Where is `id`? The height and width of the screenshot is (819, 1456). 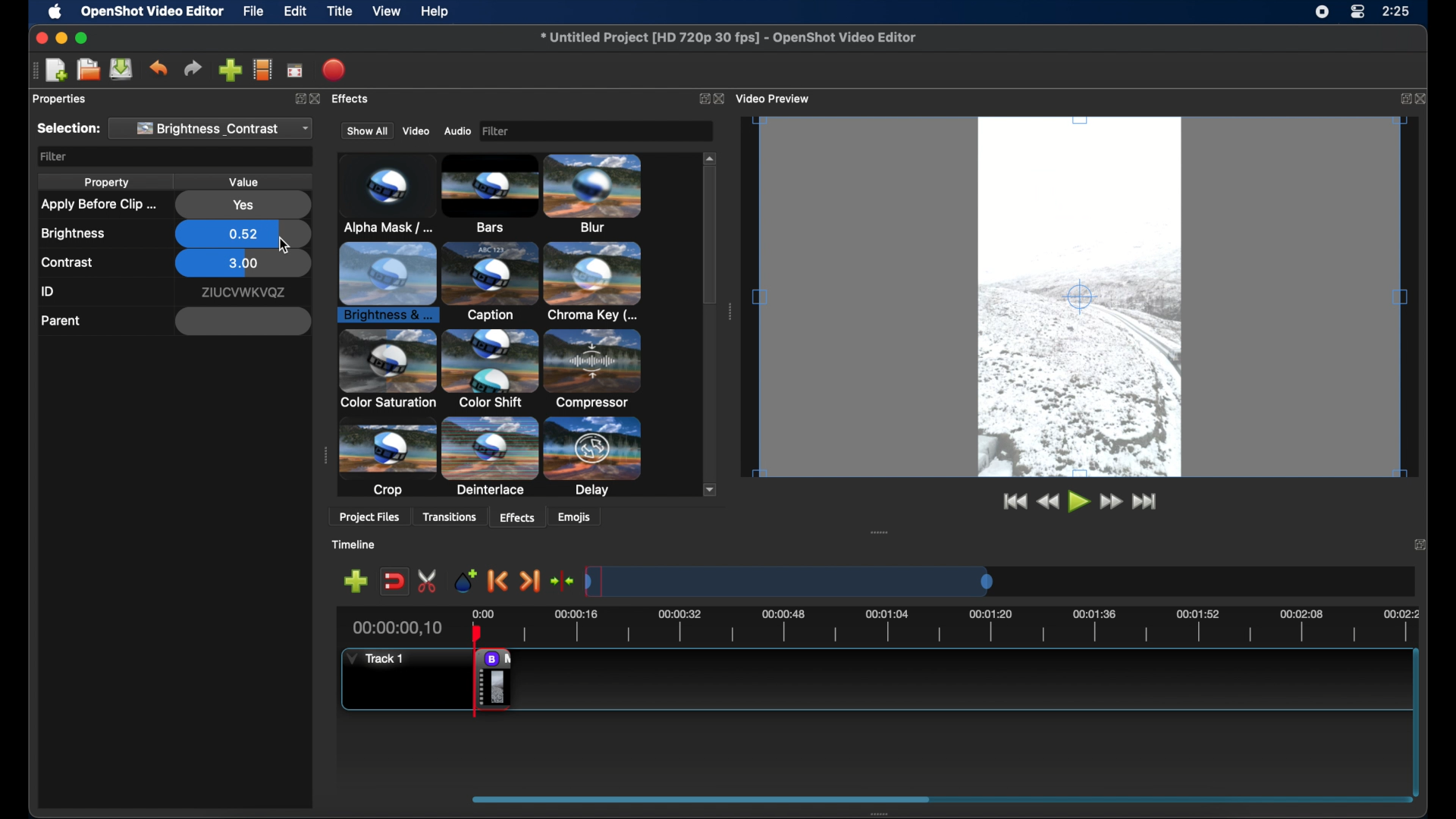
id is located at coordinates (243, 293).